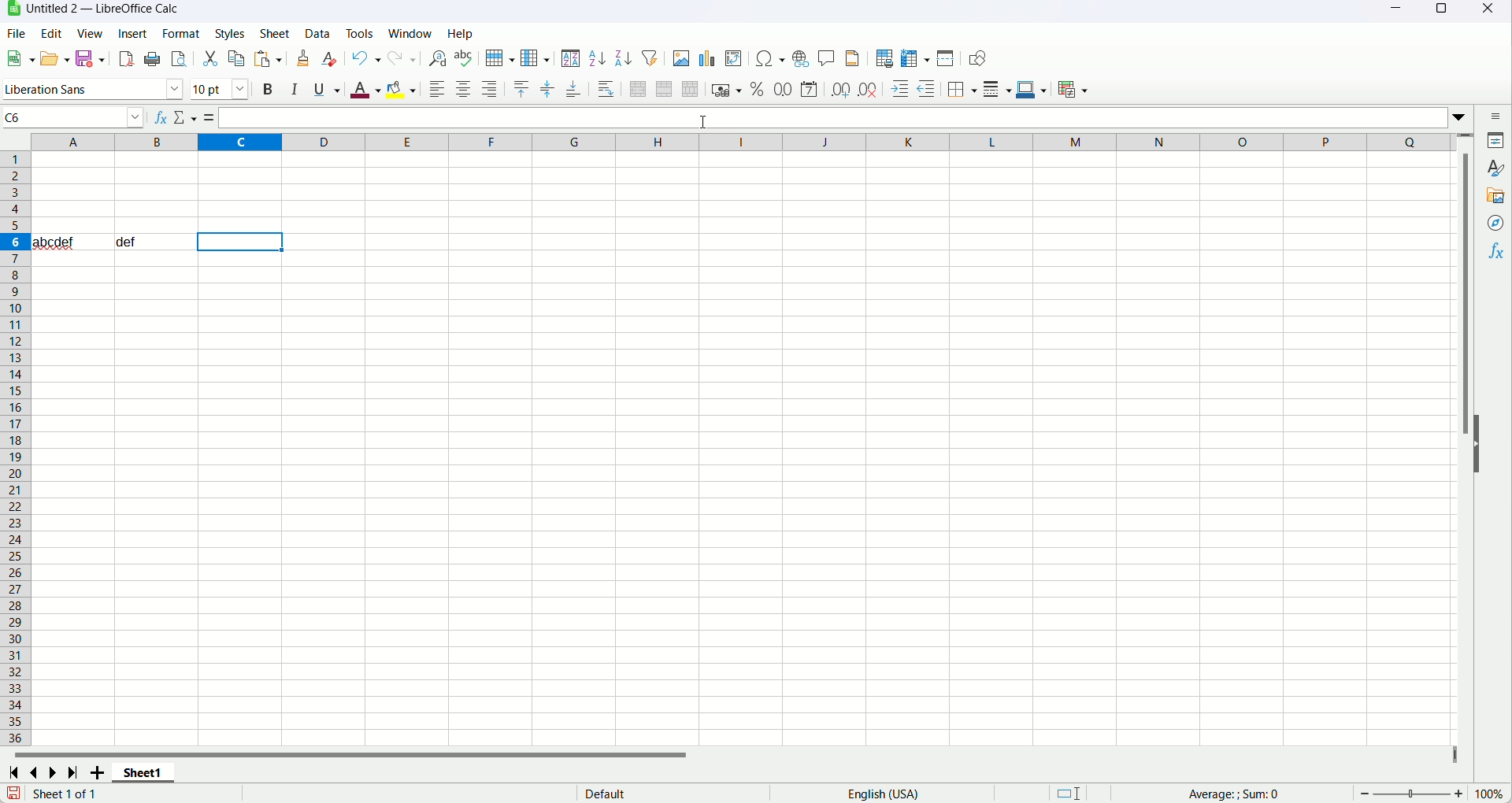  Describe the element at coordinates (1494, 224) in the screenshot. I see `navigator` at that location.